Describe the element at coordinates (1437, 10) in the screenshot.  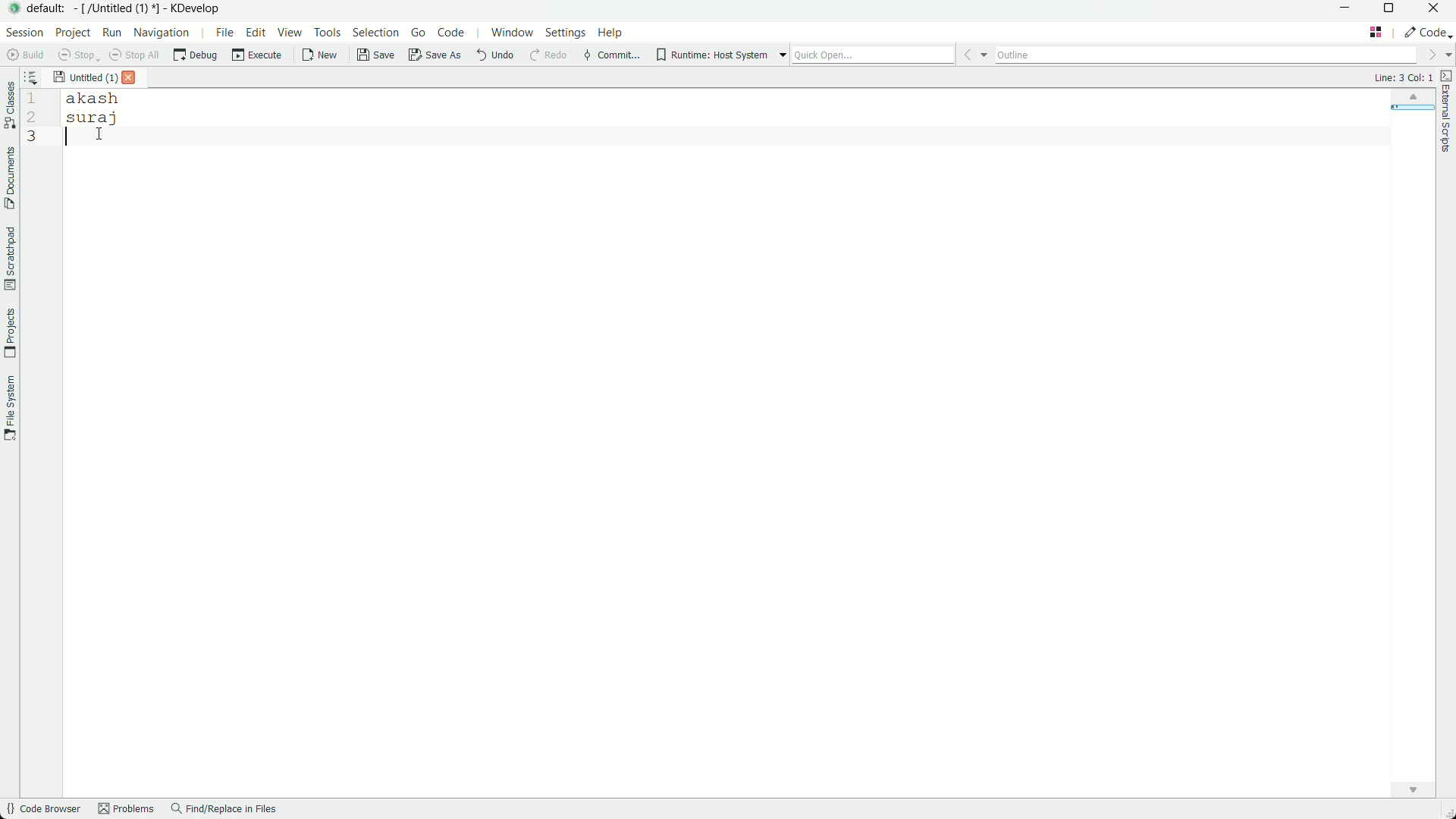
I see `close app` at that location.